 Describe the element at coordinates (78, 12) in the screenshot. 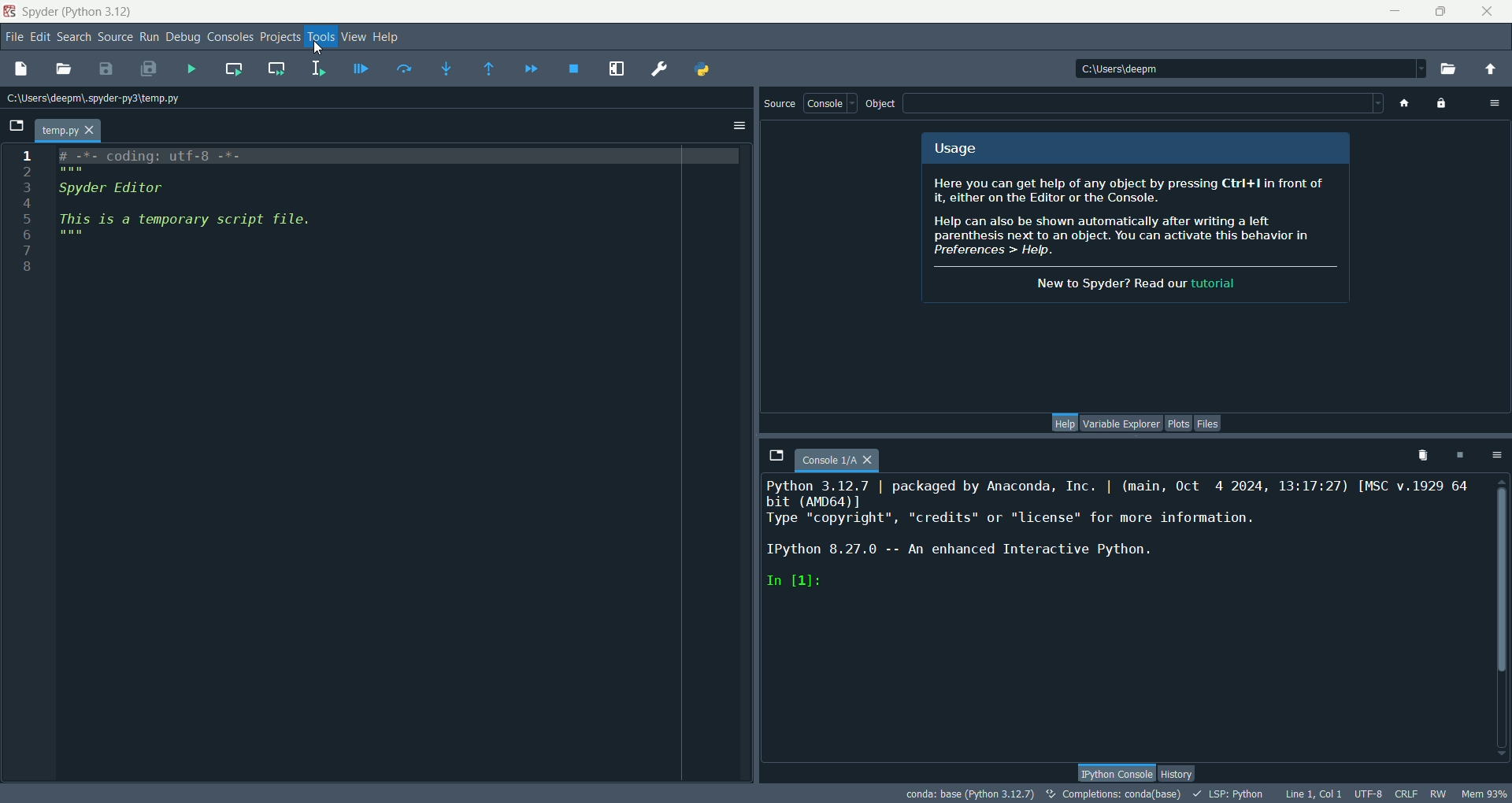

I see `Spyder` at that location.